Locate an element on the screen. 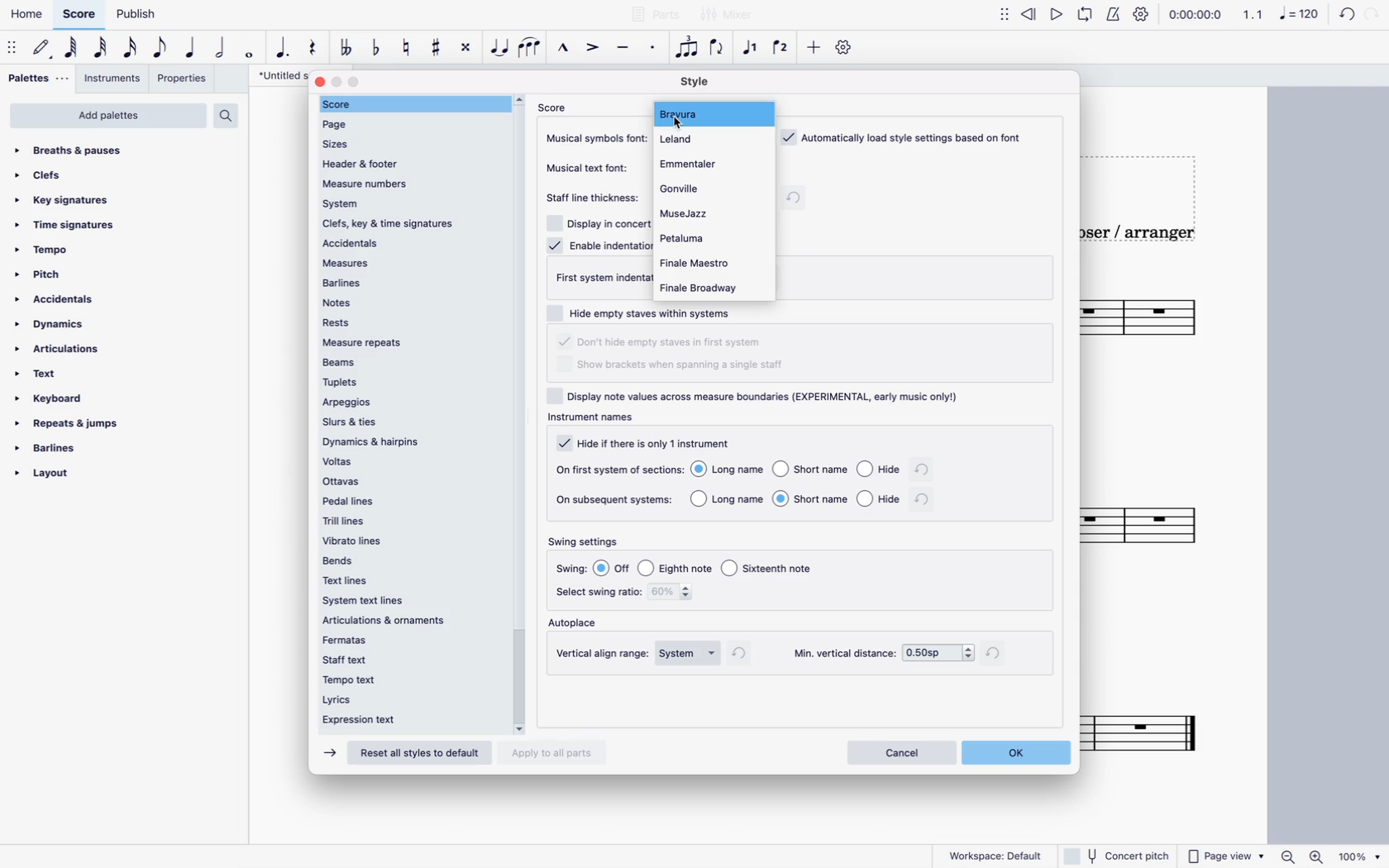 The width and height of the screenshot is (1389, 868). forward is located at coordinates (1060, 11).